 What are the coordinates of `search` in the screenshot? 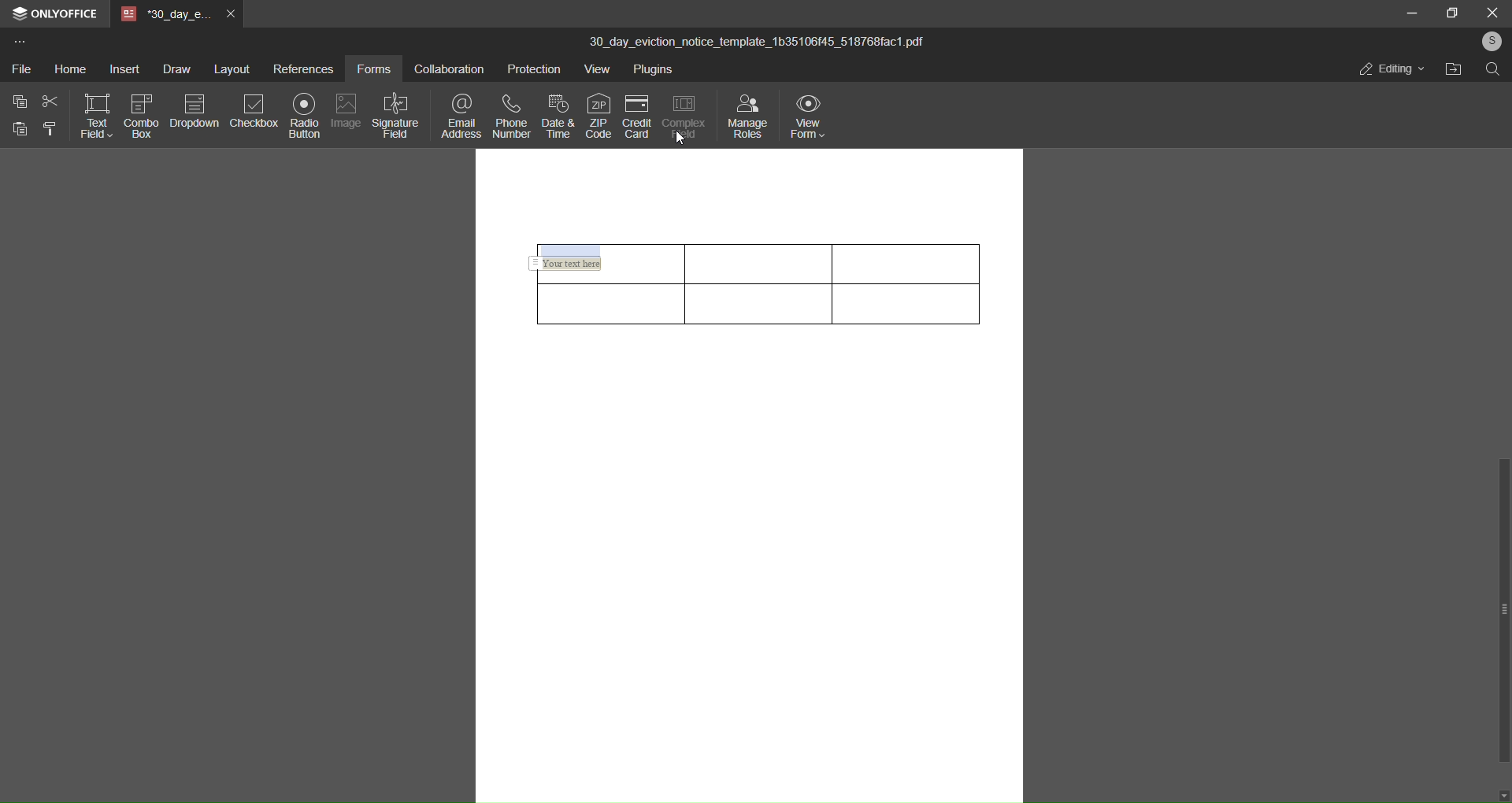 It's located at (1492, 70).